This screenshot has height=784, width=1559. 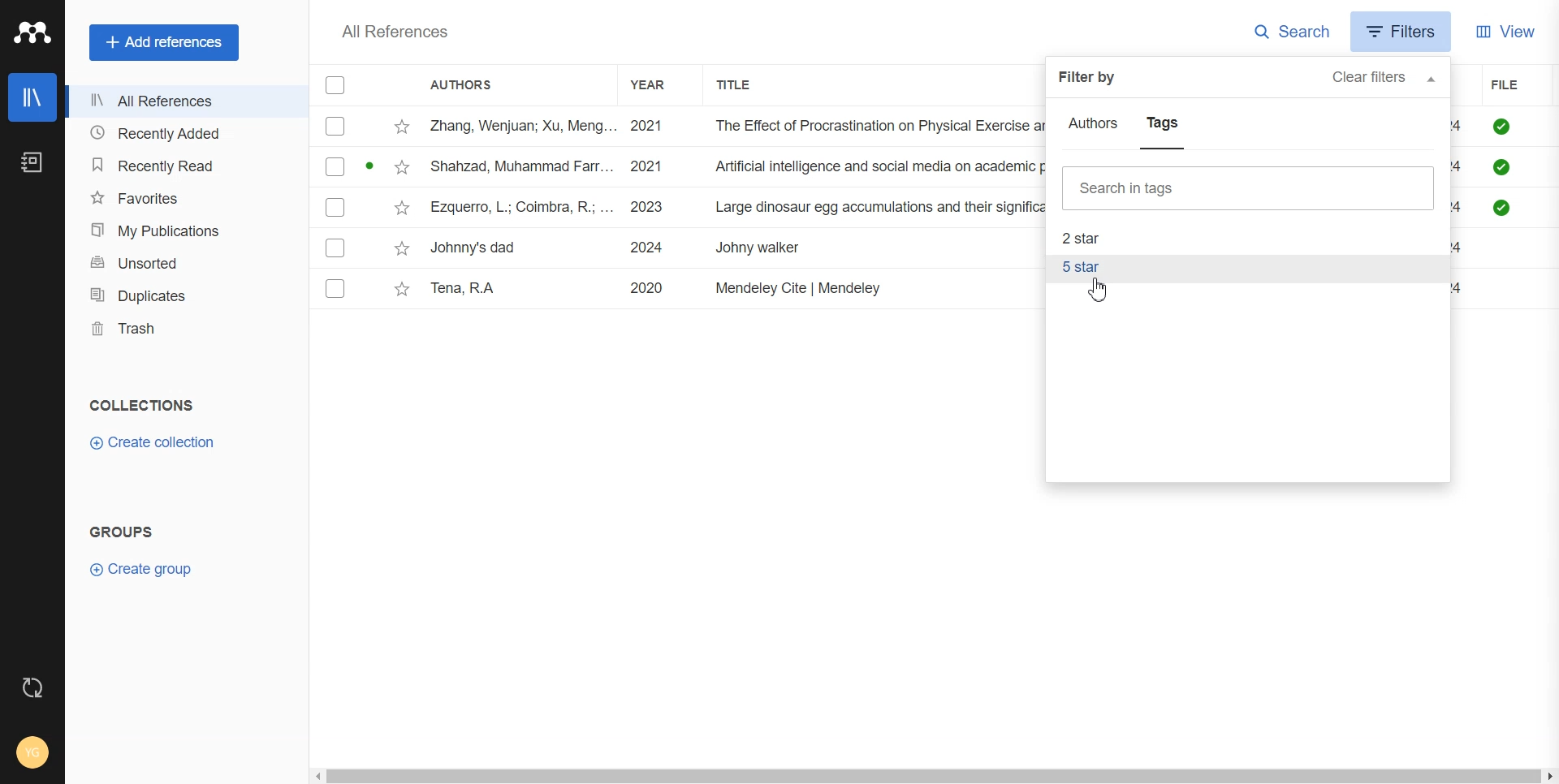 I want to click on Authors, so click(x=470, y=84).